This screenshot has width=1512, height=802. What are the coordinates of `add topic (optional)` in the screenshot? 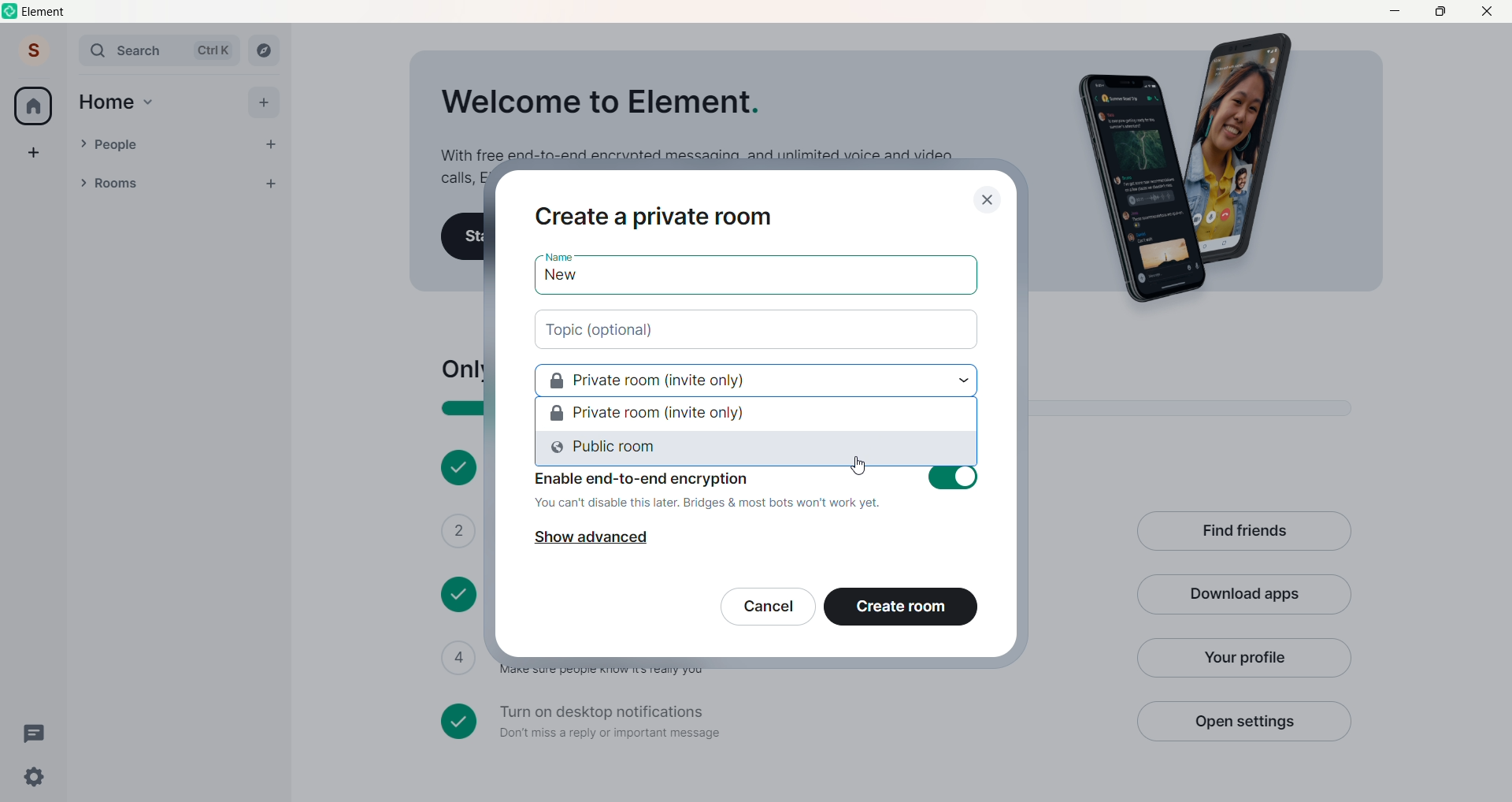 It's located at (758, 330).